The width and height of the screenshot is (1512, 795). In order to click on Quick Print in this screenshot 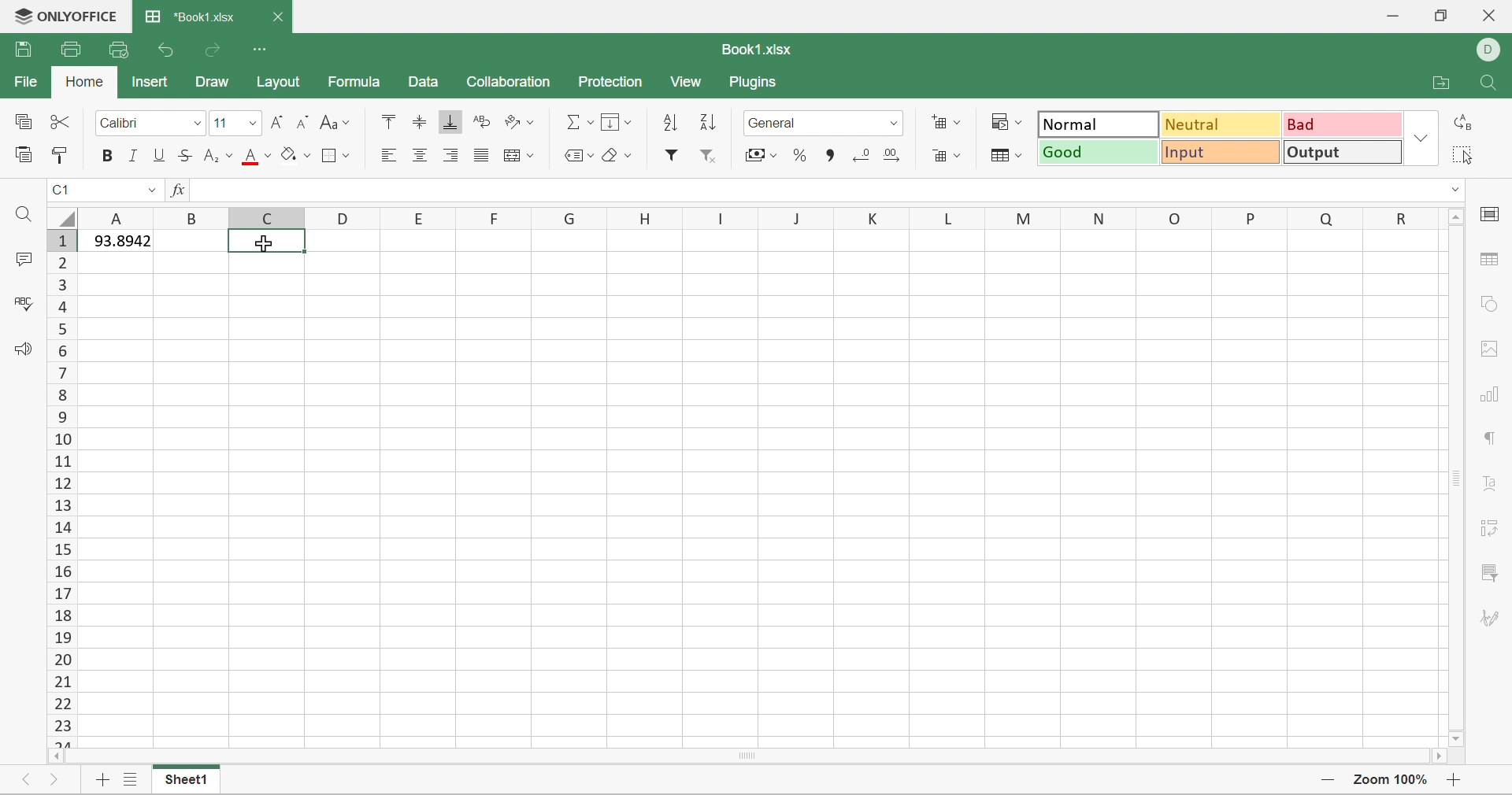, I will do `click(113, 48)`.